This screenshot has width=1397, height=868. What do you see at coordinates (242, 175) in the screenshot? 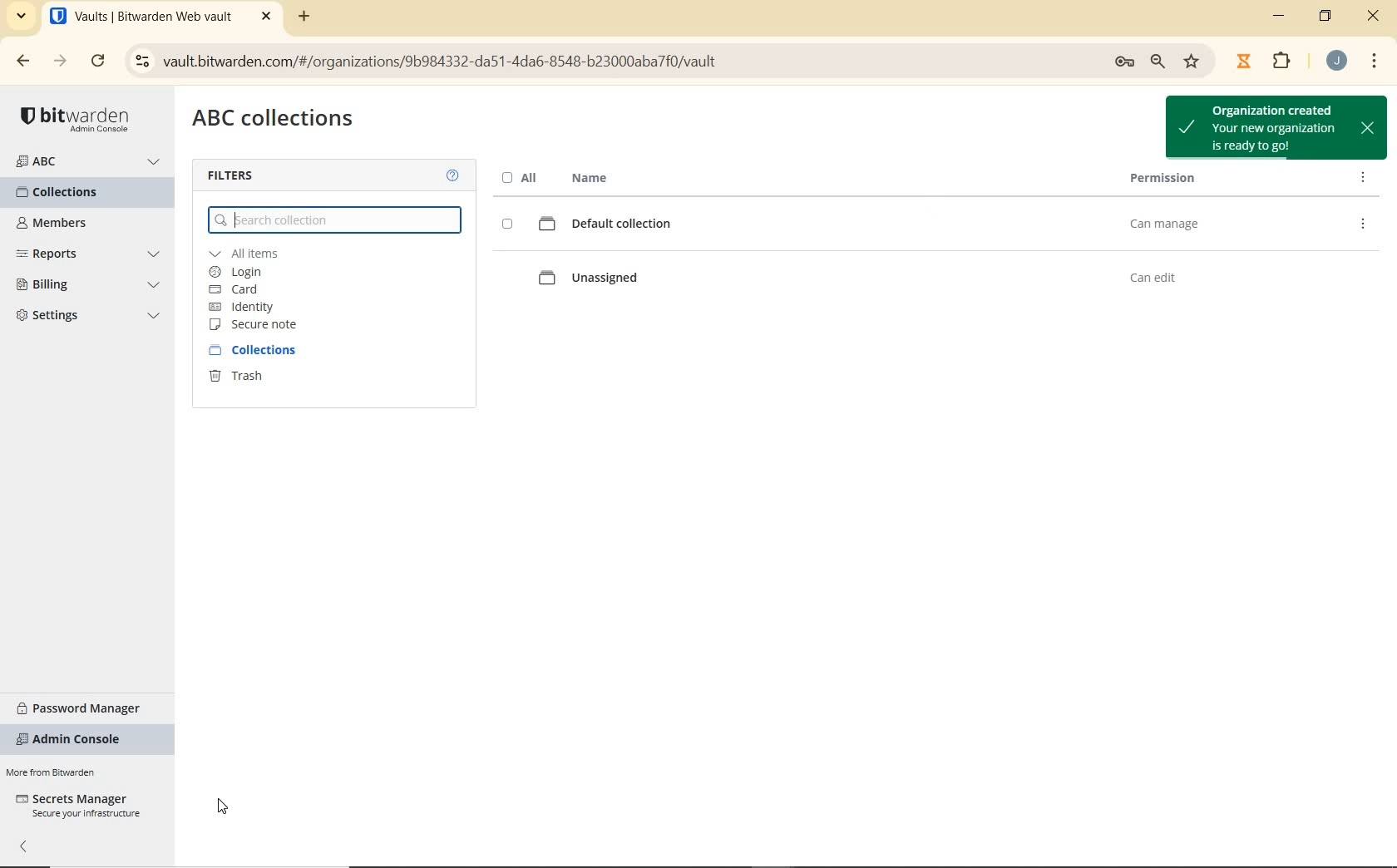
I see `filters` at bounding box center [242, 175].